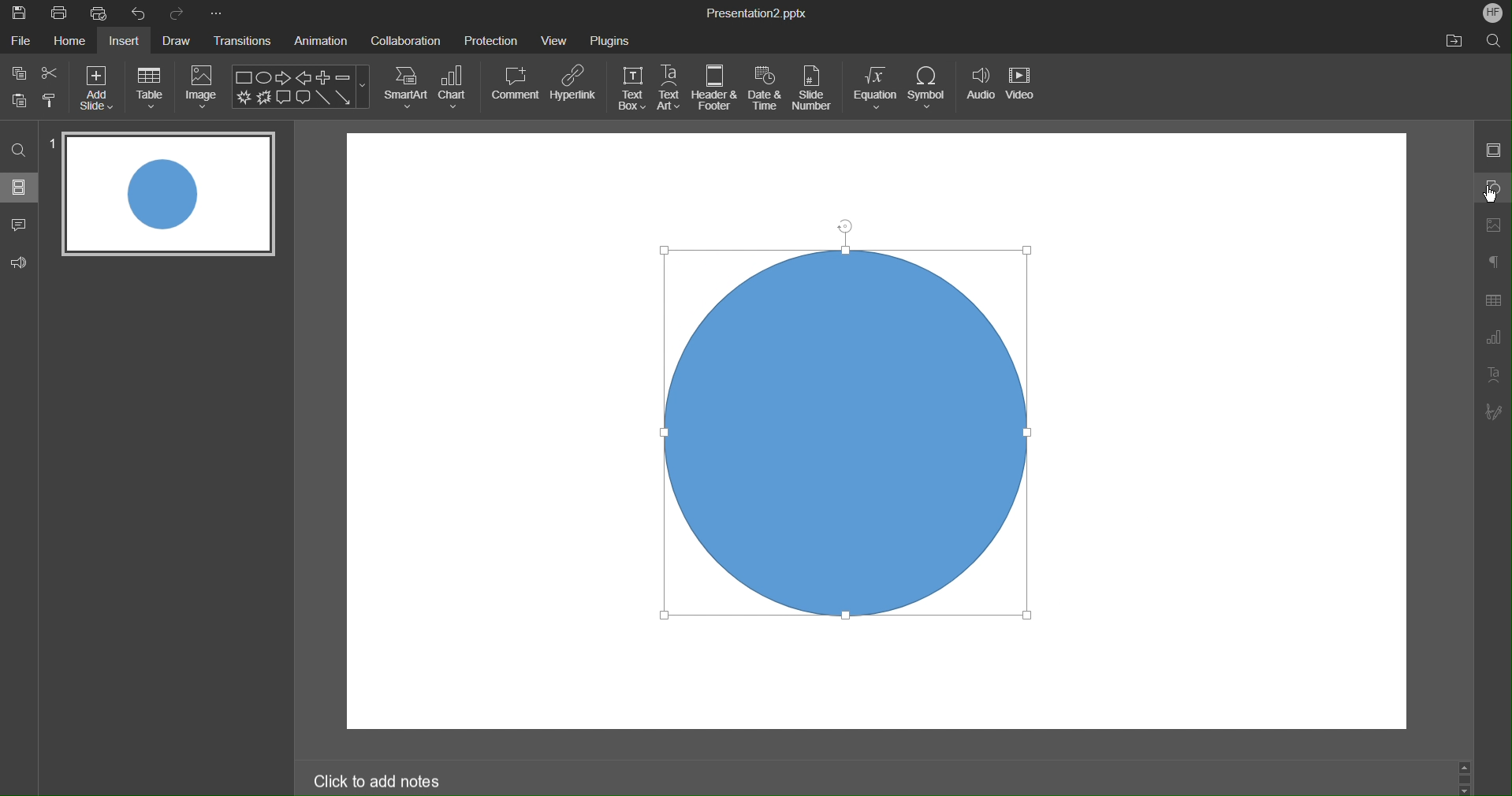 Image resolution: width=1512 pixels, height=796 pixels. What do you see at coordinates (180, 41) in the screenshot?
I see `Draw` at bounding box center [180, 41].